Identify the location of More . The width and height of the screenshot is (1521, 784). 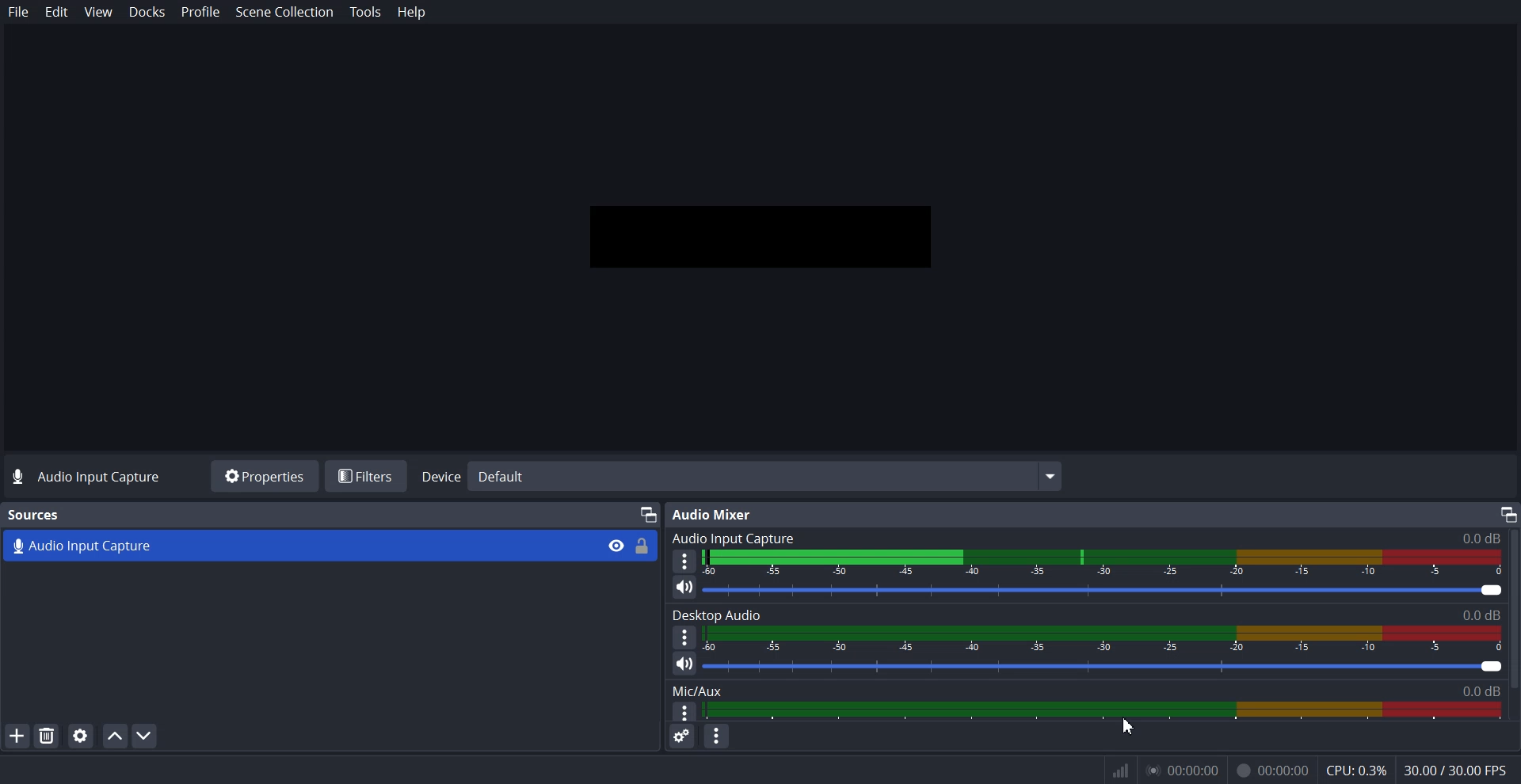
(684, 637).